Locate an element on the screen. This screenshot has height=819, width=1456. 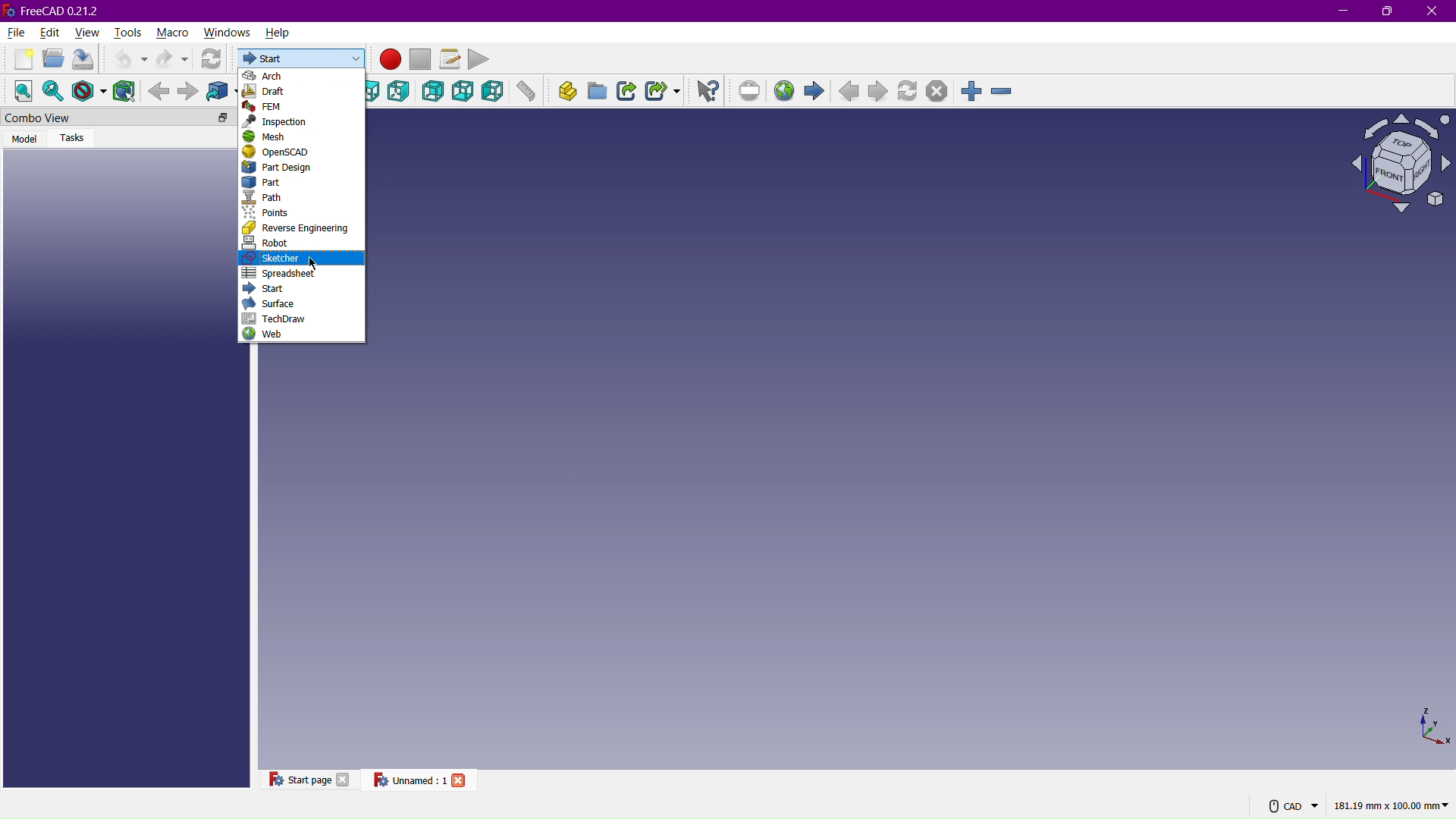
Arch is located at coordinates (268, 77).